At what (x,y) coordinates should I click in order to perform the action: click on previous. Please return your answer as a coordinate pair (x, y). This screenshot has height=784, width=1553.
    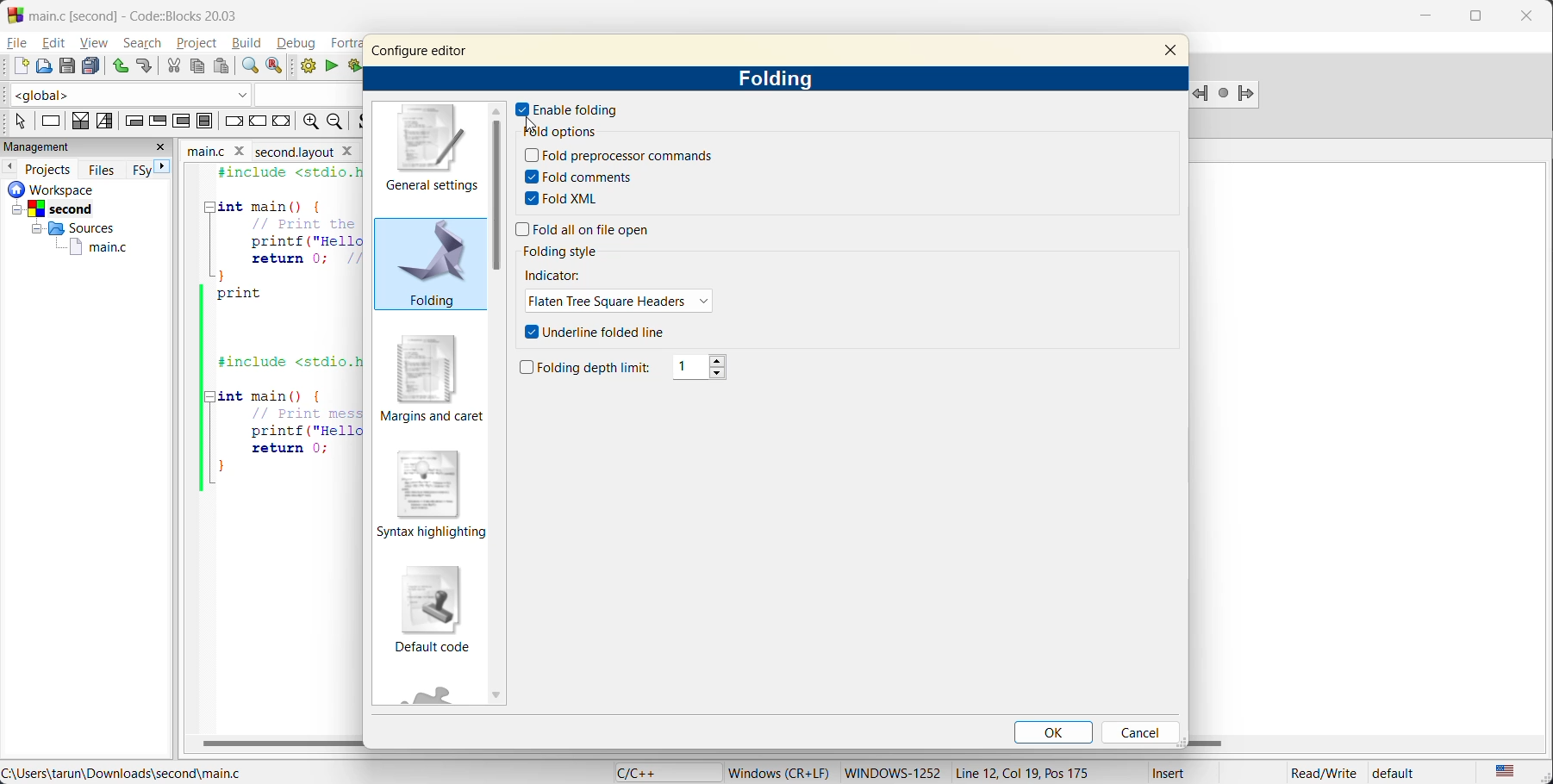
    Looking at the image, I should click on (9, 168).